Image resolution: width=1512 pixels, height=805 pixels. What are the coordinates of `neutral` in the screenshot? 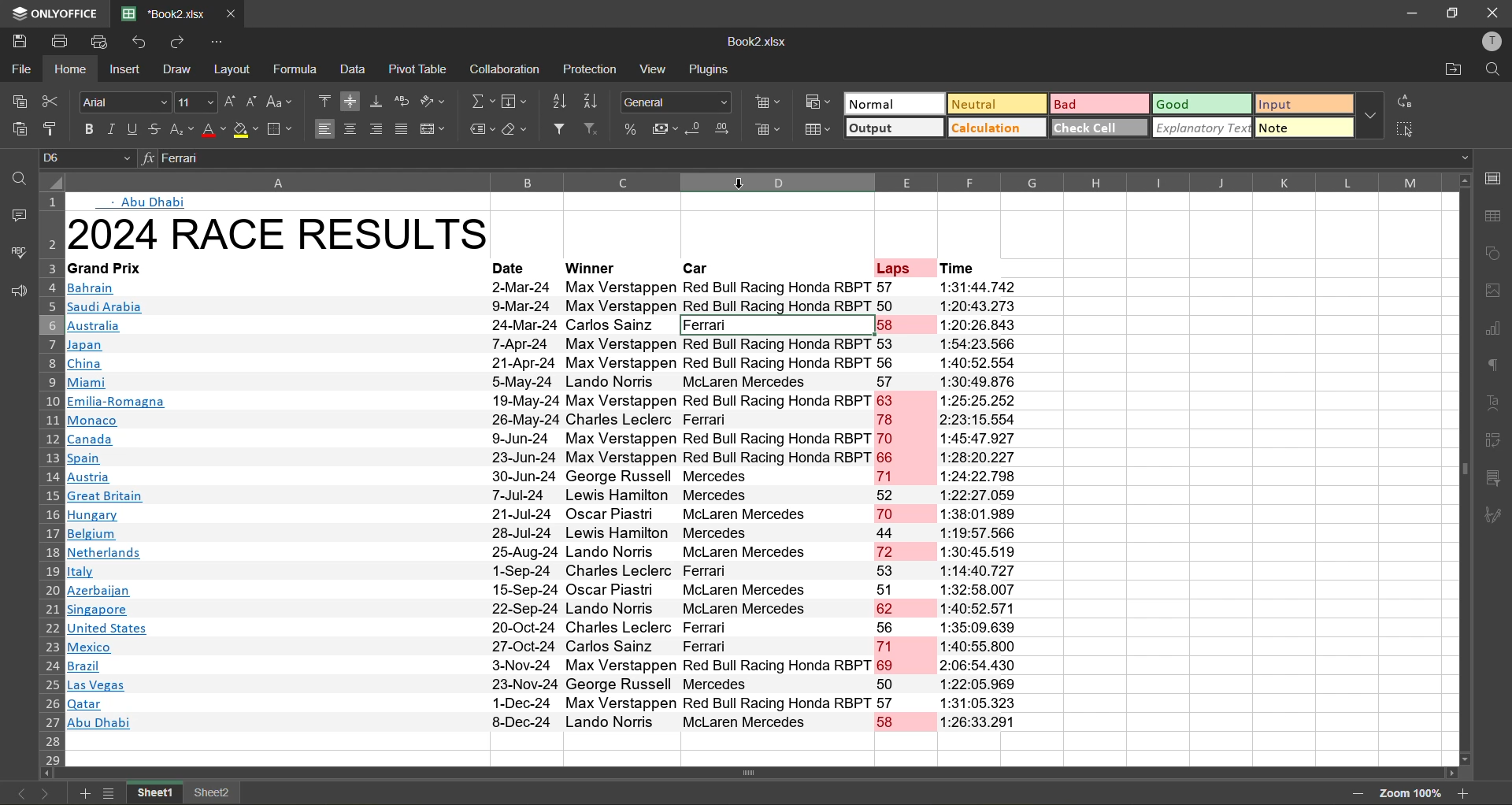 It's located at (996, 103).